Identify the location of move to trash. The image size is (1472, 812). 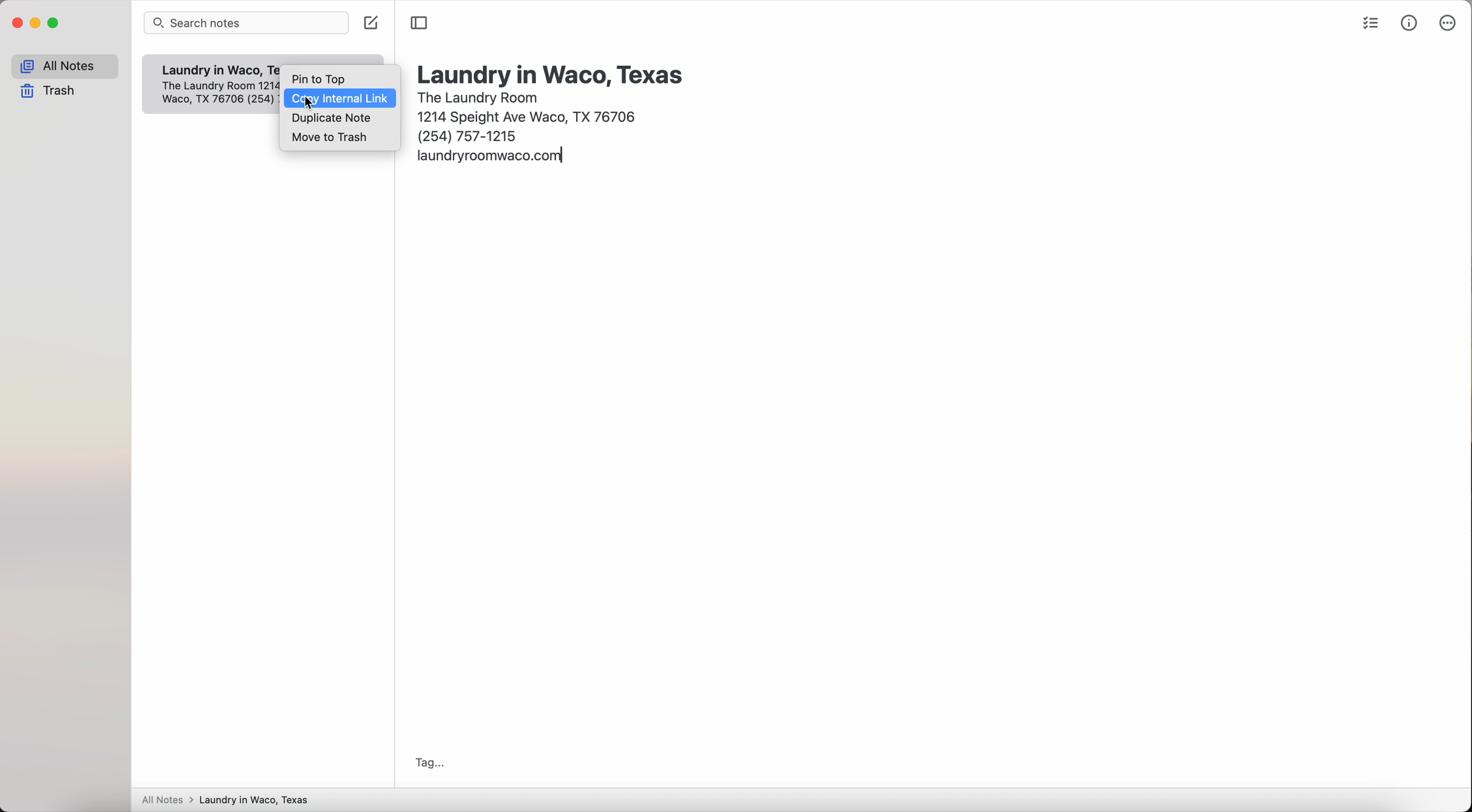
(331, 137).